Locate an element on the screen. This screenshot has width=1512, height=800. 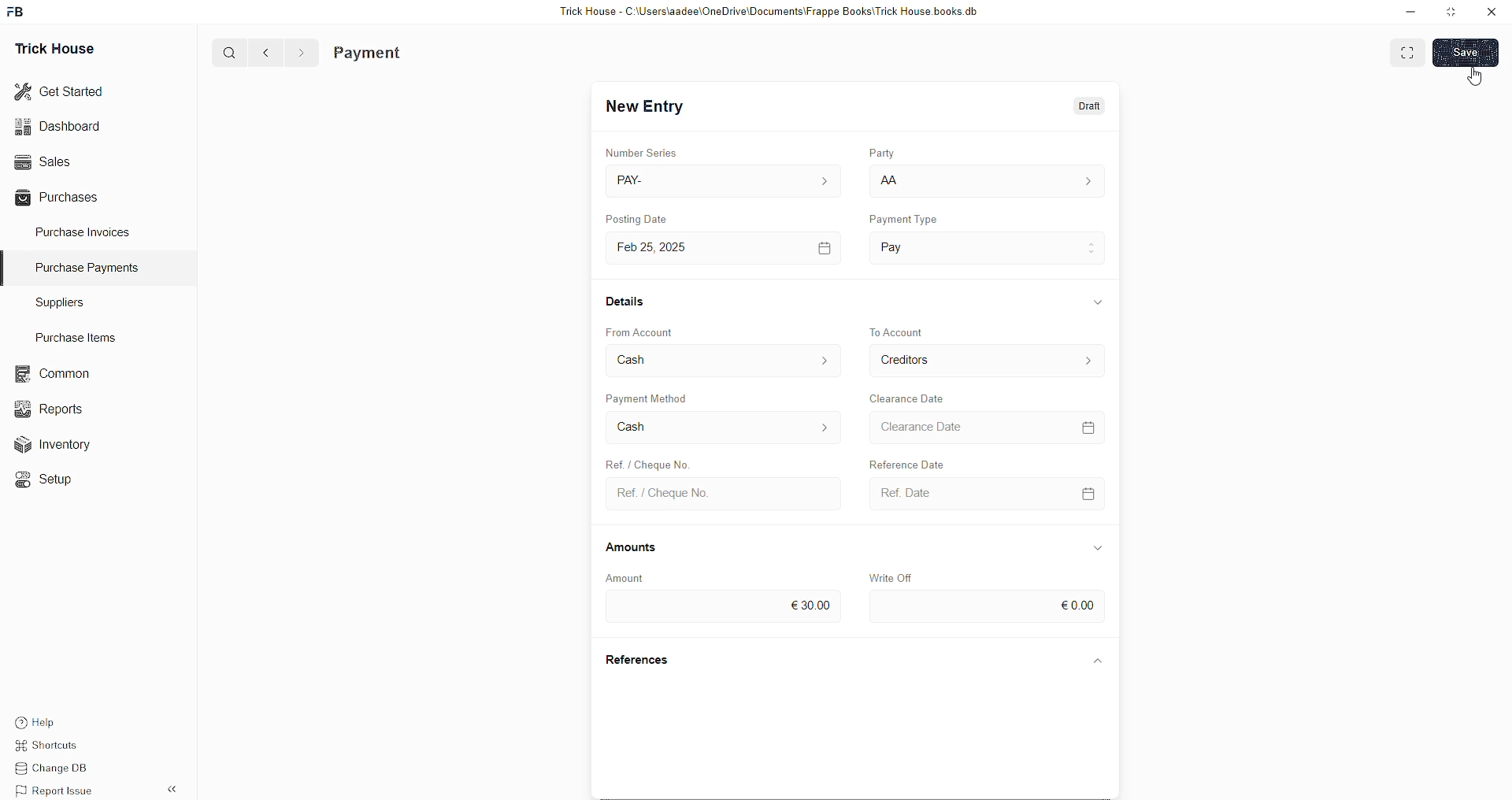
Report Issue is located at coordinates (59, 791).